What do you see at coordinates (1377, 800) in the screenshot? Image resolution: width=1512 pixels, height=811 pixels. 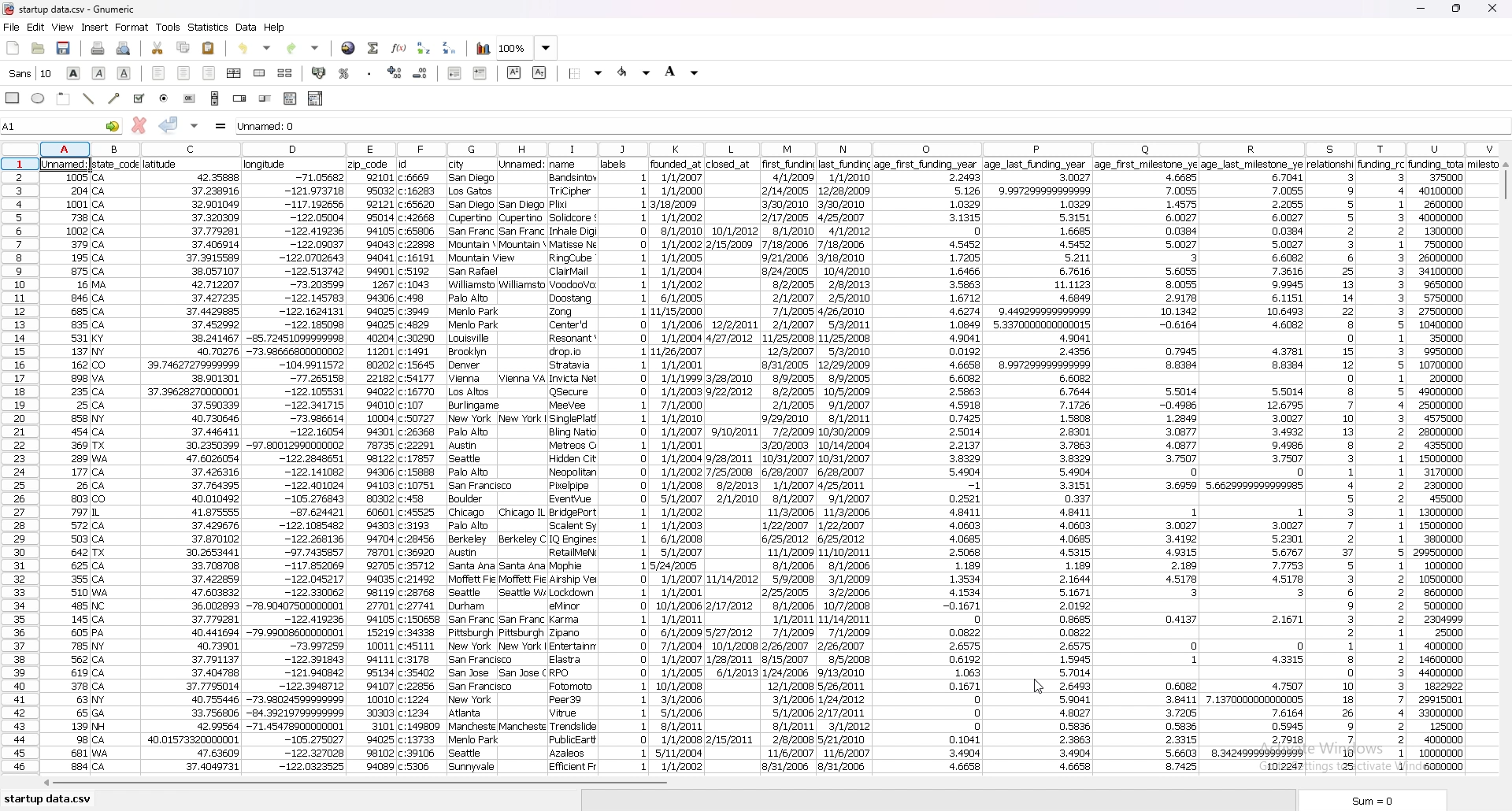 I see `sum` at bounding box center [1377, 800].